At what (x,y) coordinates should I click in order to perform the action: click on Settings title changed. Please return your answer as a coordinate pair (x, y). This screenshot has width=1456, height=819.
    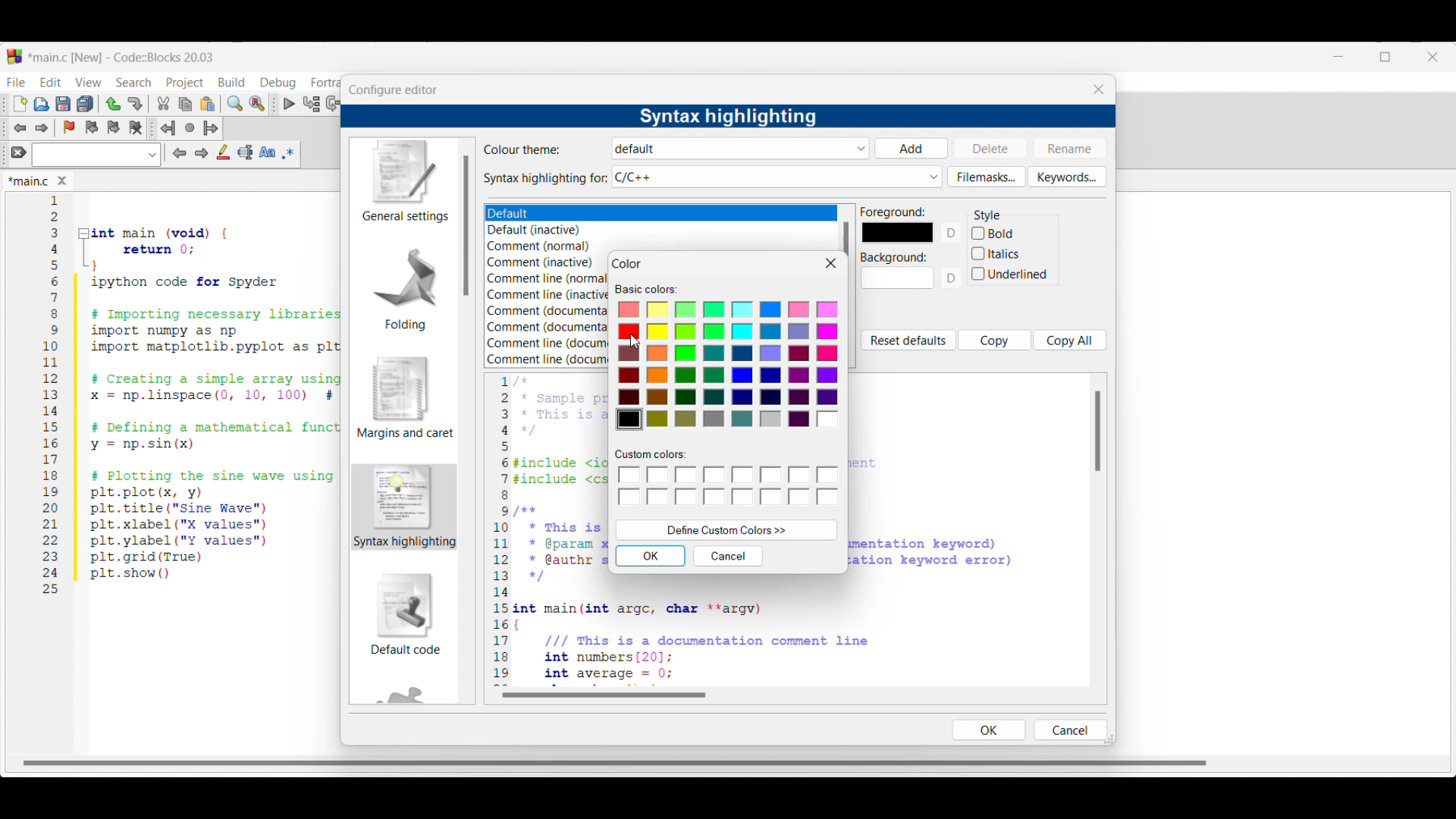
    Looking at the image, I should click on (727, 117).